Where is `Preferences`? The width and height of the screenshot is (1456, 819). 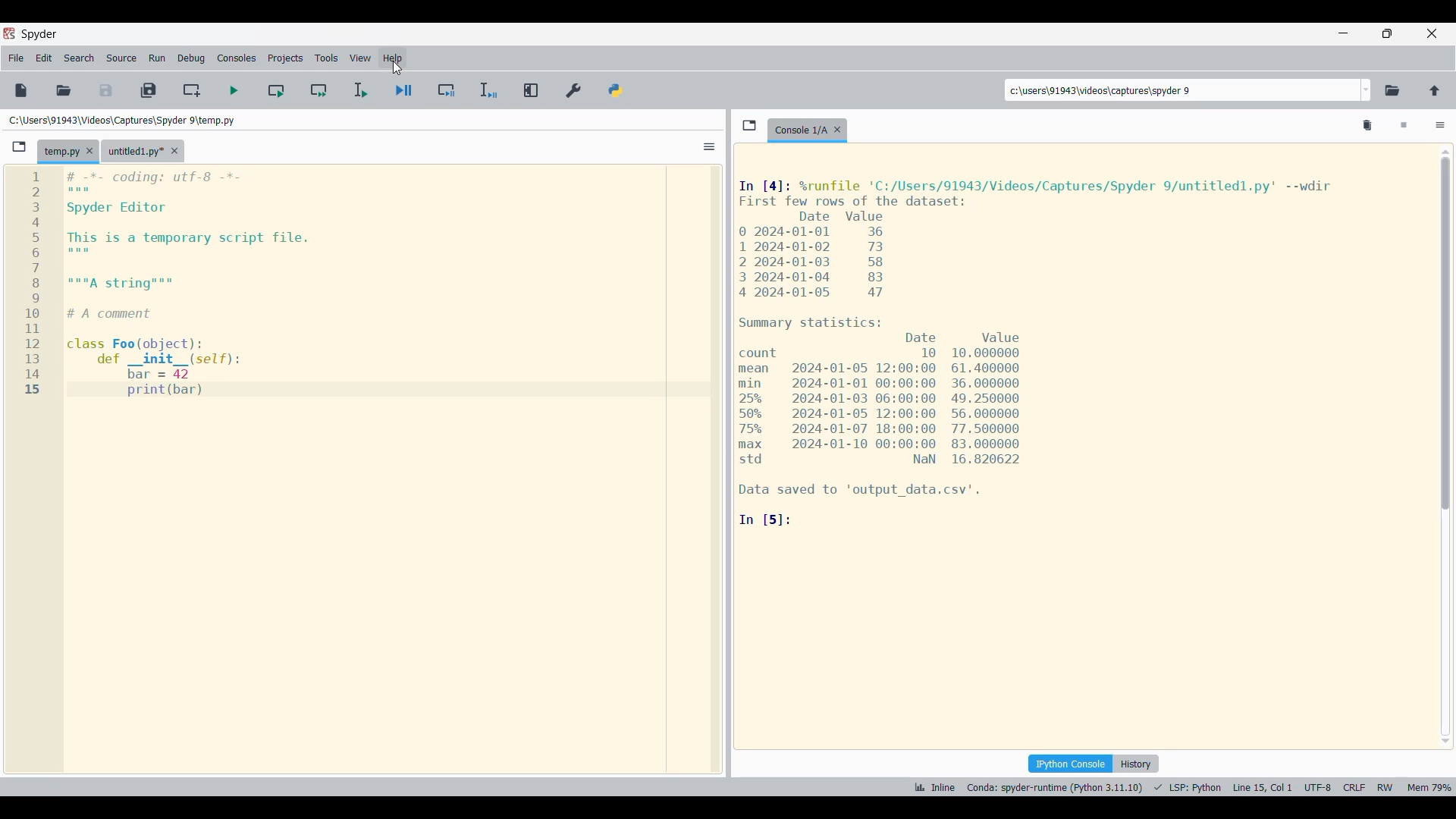 Preferences is located at coordinates (573, 90).